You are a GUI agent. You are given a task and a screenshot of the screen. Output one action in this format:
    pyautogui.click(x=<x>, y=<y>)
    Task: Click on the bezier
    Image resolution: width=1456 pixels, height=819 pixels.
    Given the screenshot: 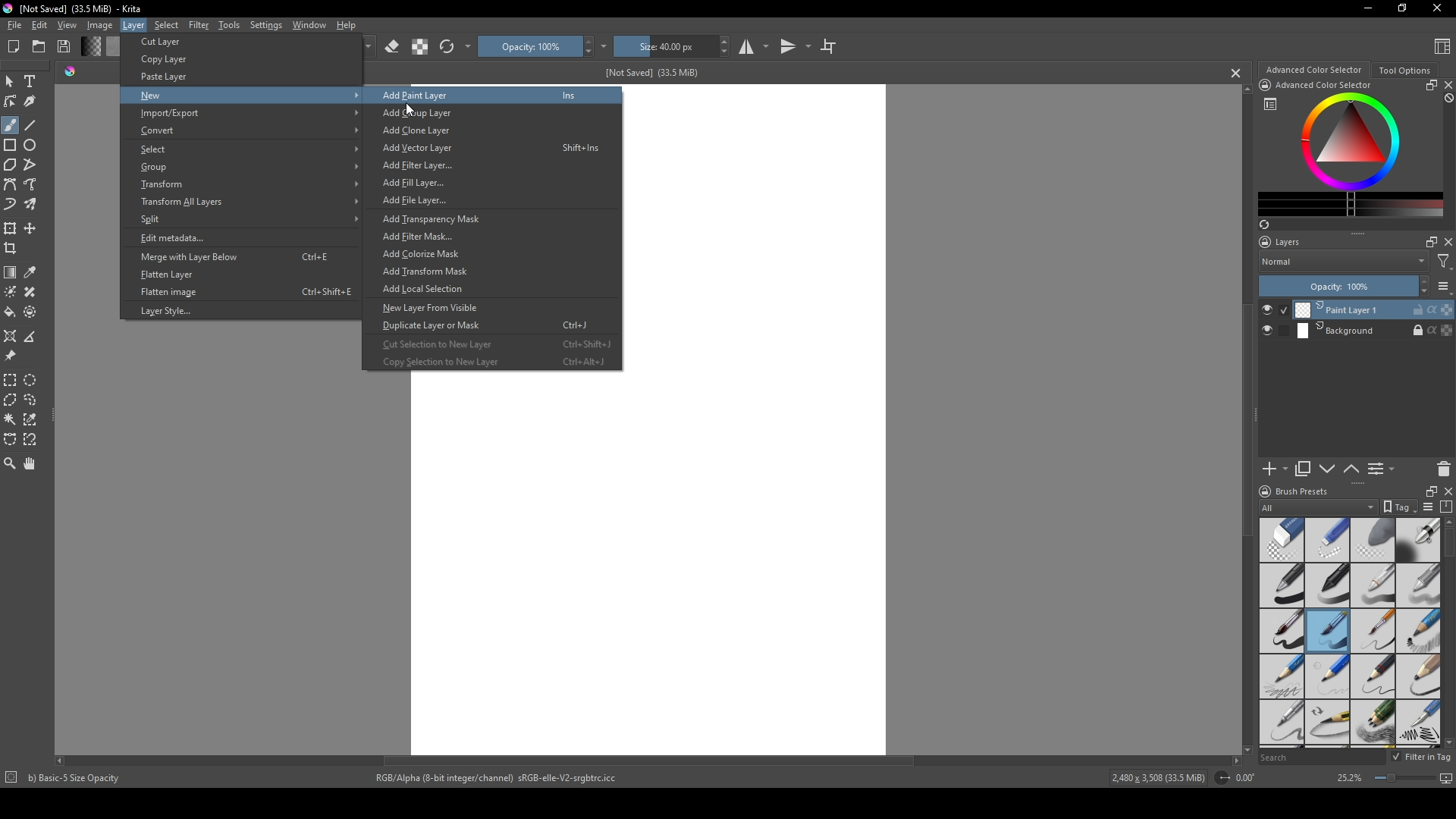 What is the action you would take?
    pyautogui.click(x=11, y=185)
    